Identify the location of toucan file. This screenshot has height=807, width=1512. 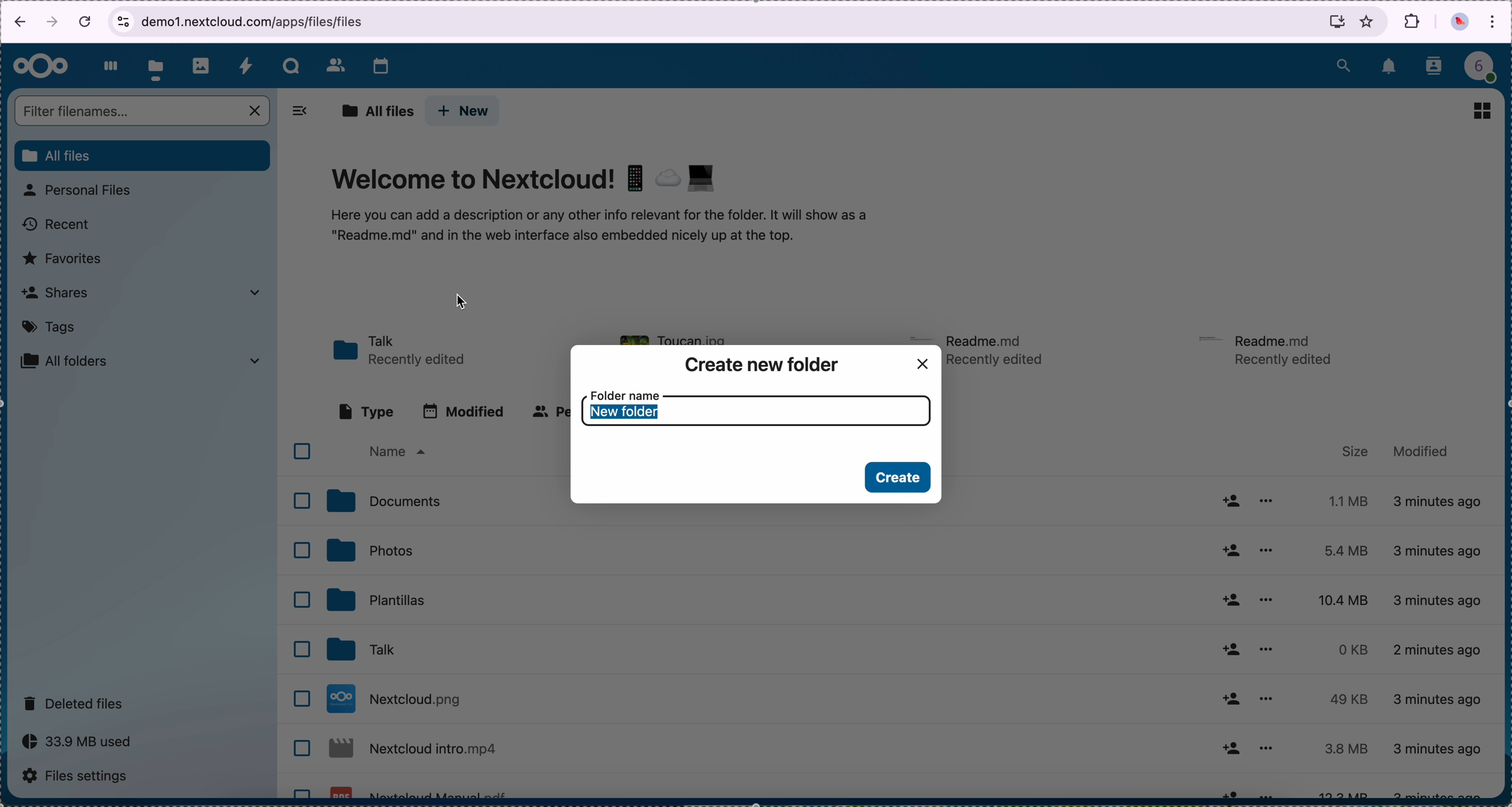
(683, 336).